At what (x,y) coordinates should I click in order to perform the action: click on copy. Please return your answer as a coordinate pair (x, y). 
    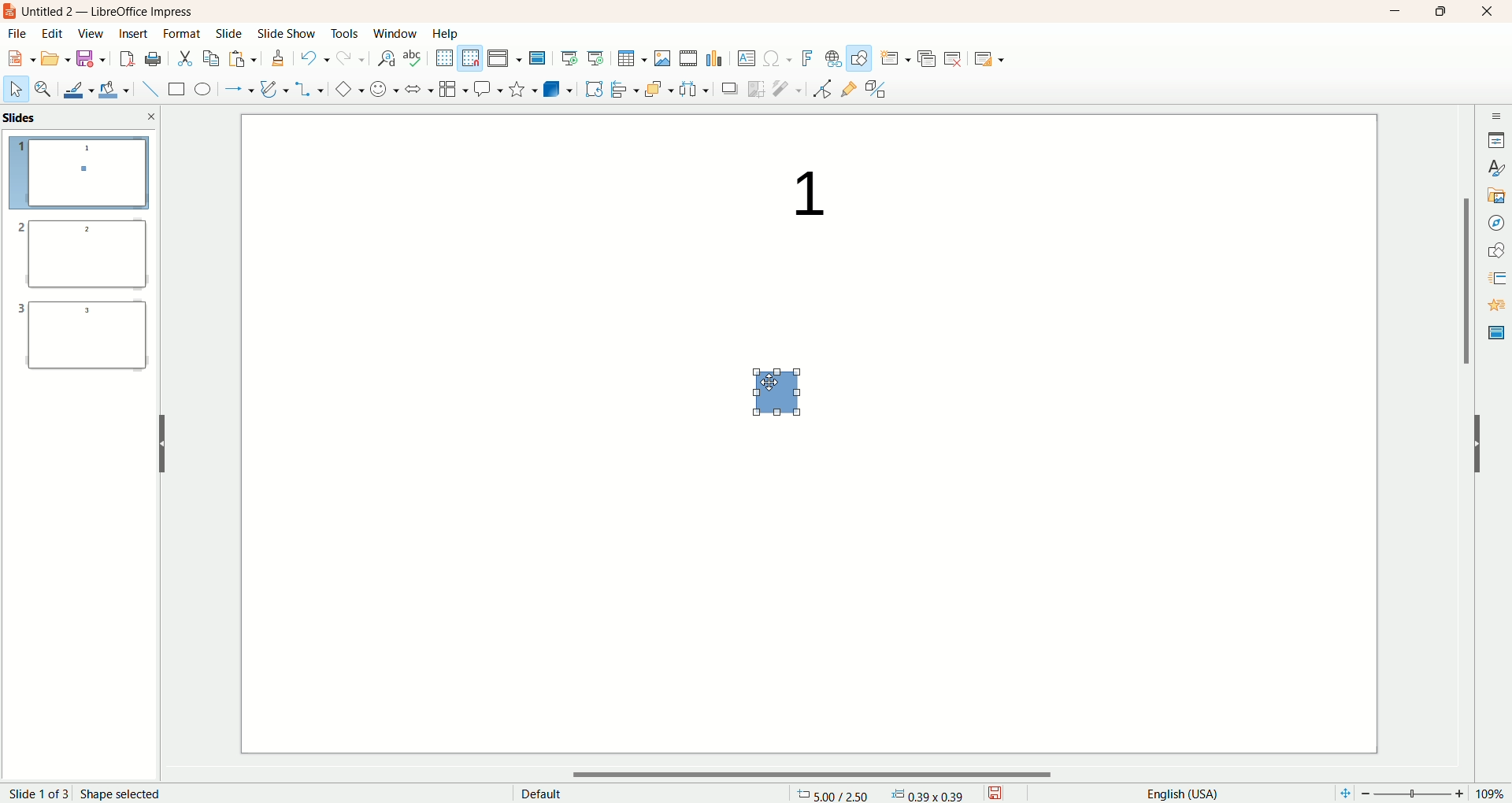
    Looking at the image, I should click on (211, 57).